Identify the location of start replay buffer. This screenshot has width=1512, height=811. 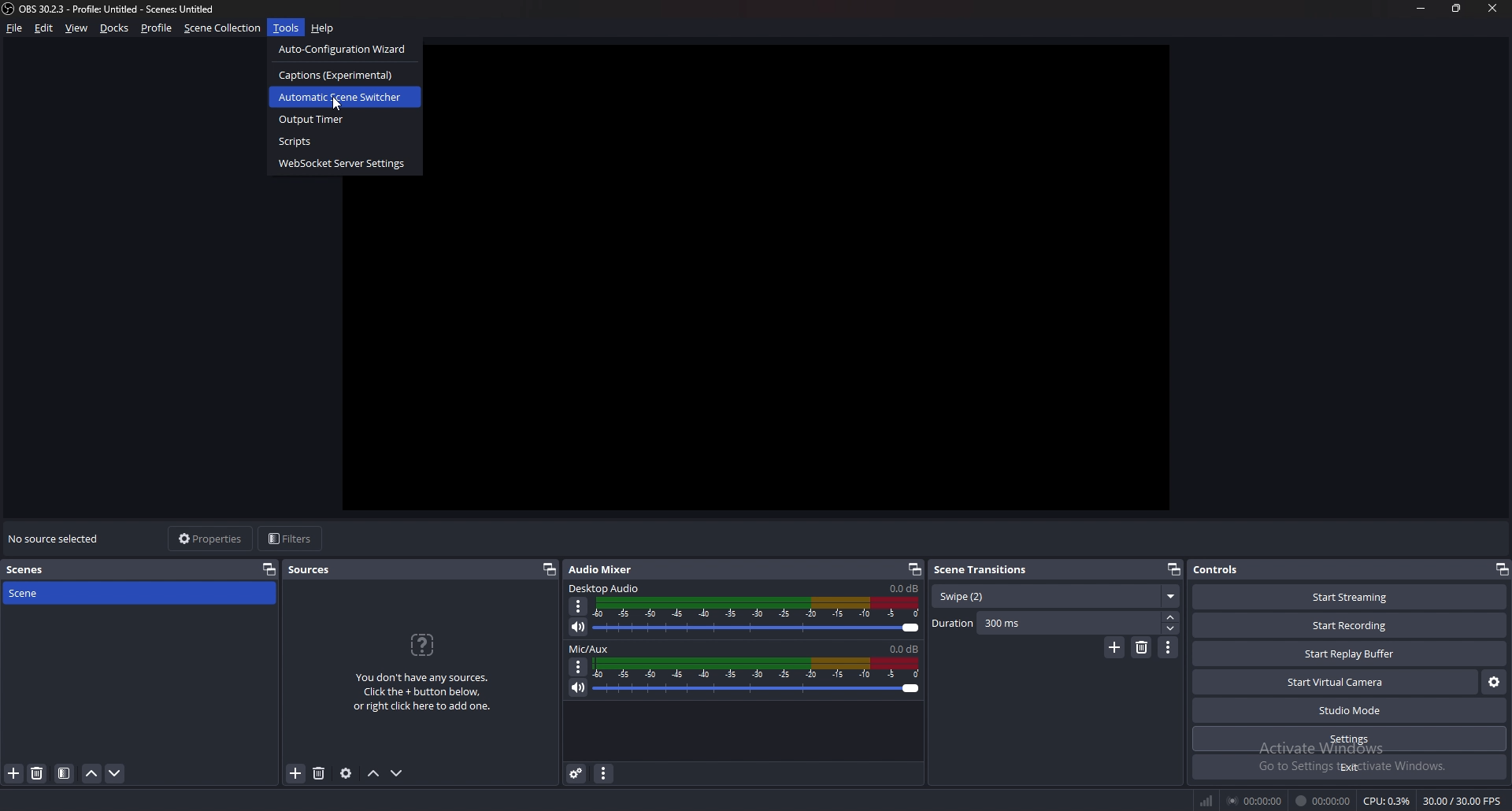
(1351, 654).